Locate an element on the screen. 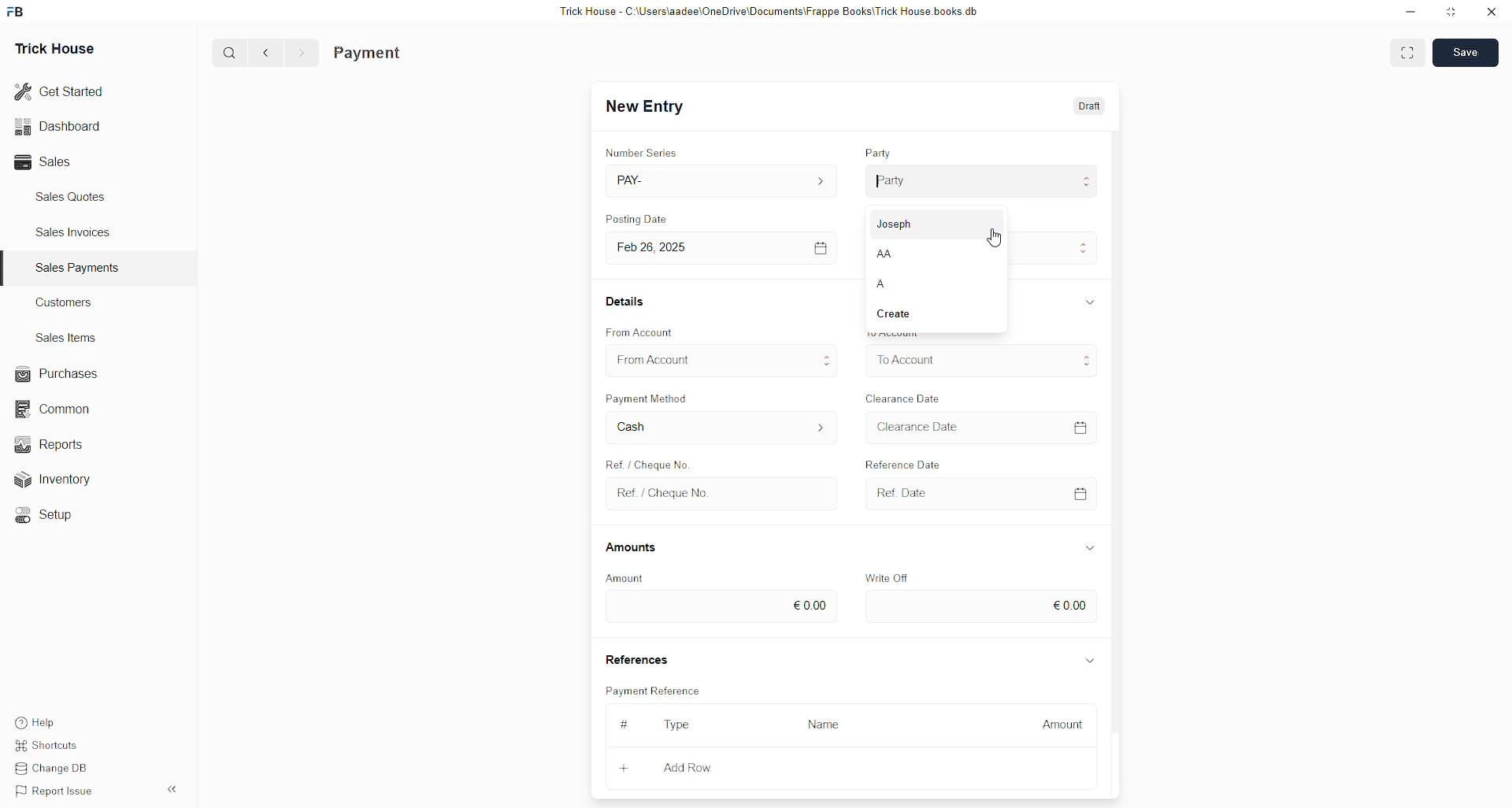 This screenshot has height=808, width=1512. Payment Method is located at coordinates (649, 398).